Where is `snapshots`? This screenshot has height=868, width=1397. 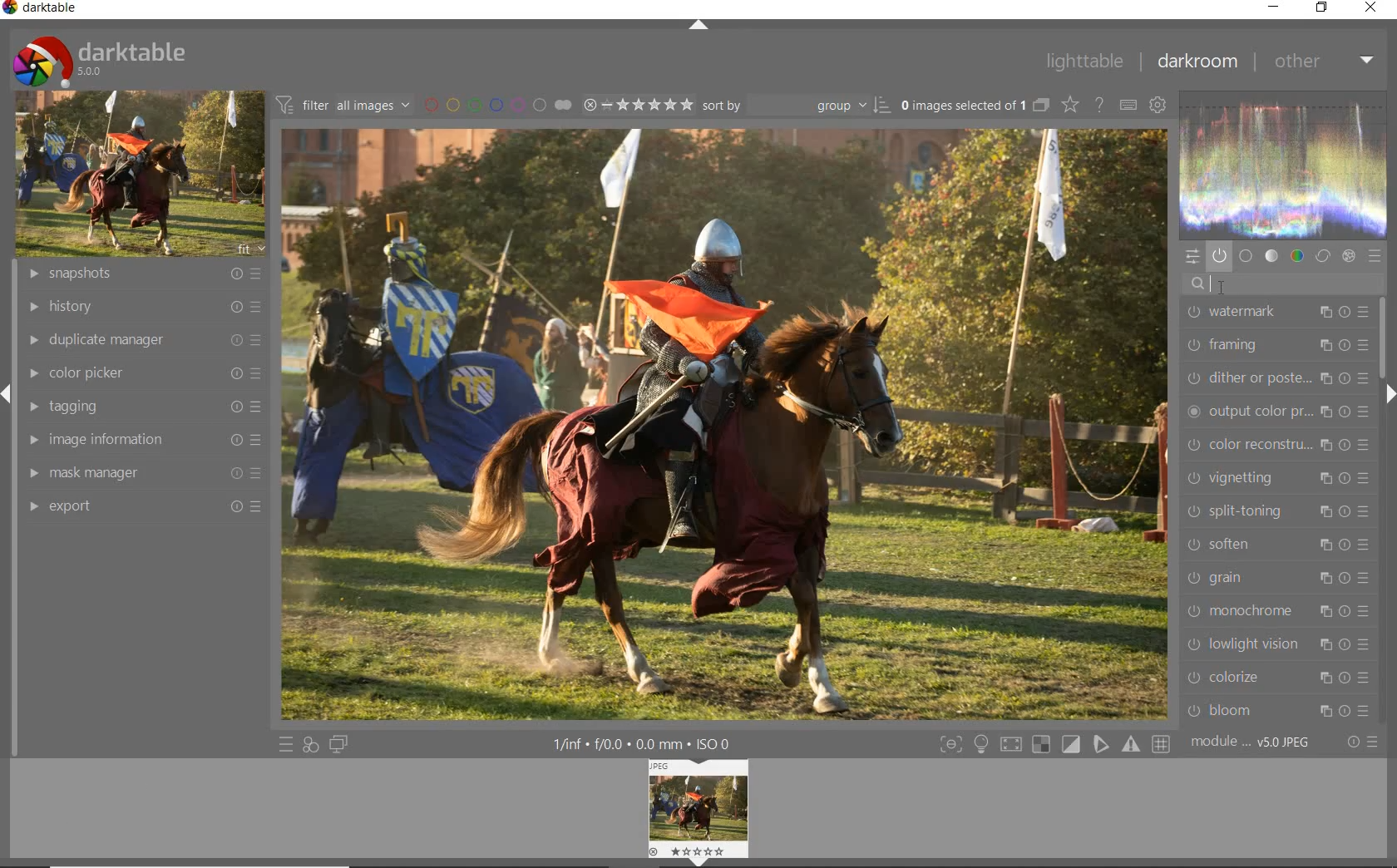 snapshots is located at coordinates (146, 274).